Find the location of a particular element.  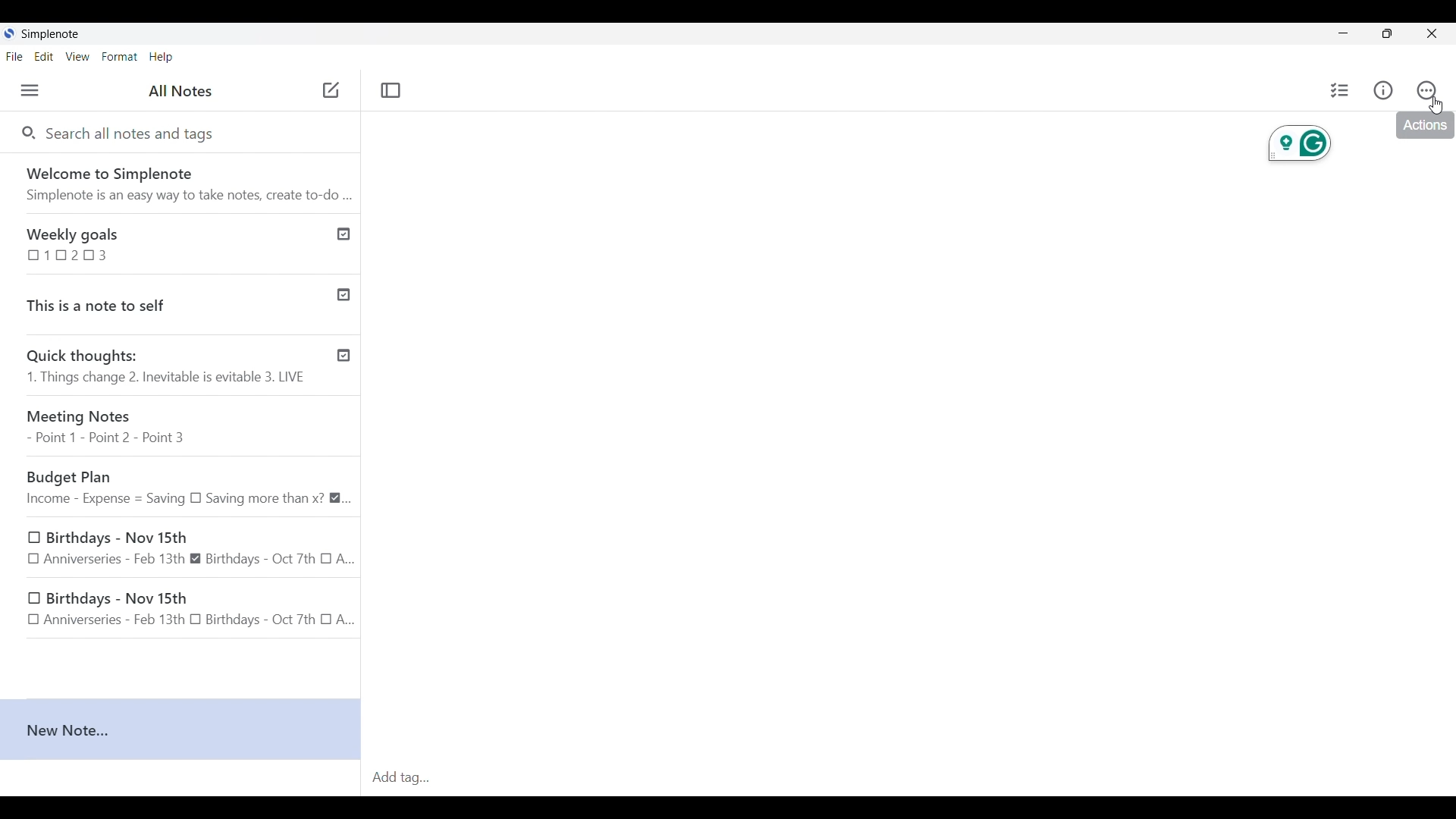

Edit menu is located at coordinates (44, 56).